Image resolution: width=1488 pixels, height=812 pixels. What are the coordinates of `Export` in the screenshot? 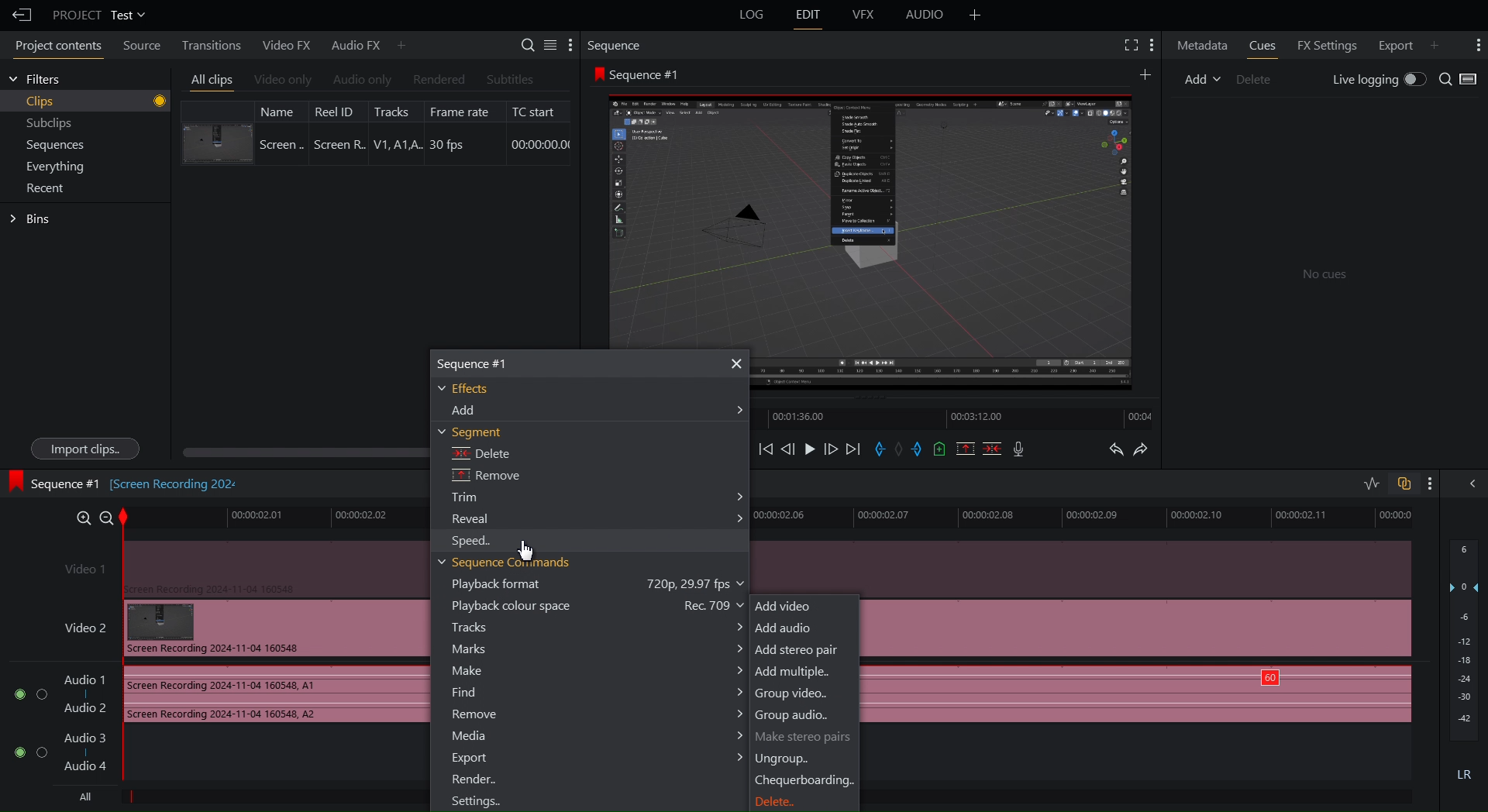 It's located at (1392, 43).